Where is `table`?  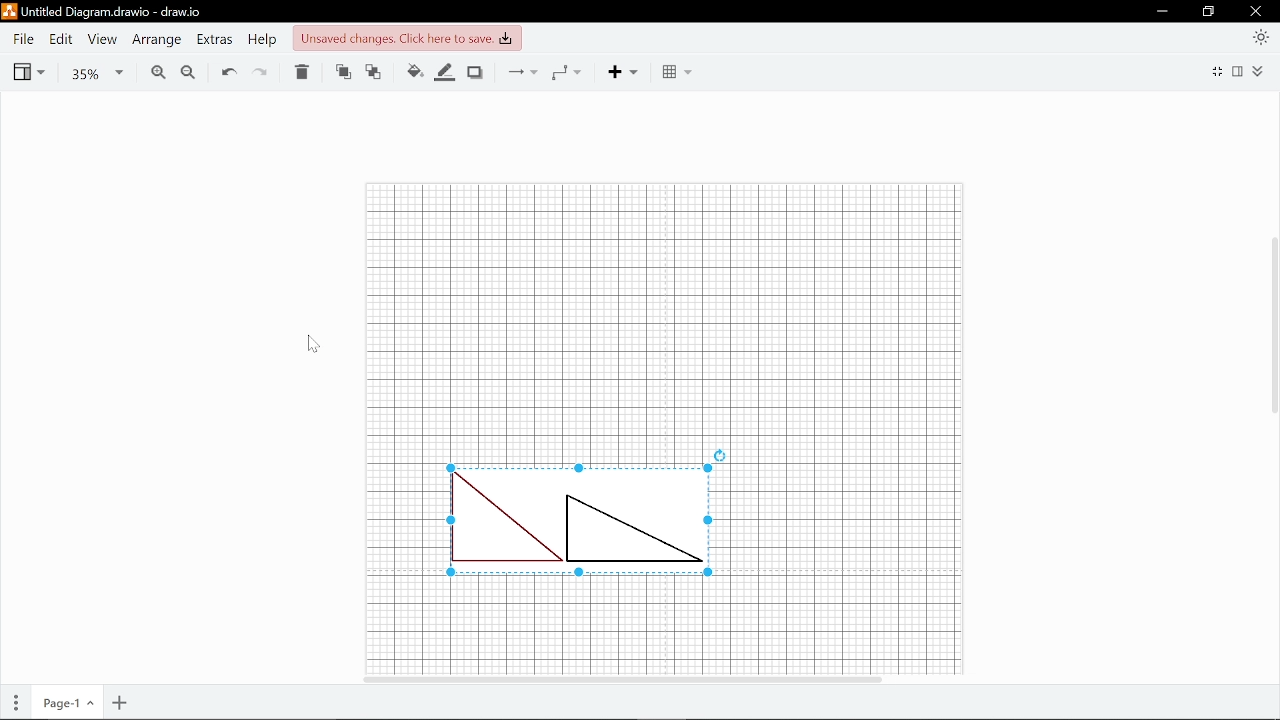
table is located at coordinates (678, 72).